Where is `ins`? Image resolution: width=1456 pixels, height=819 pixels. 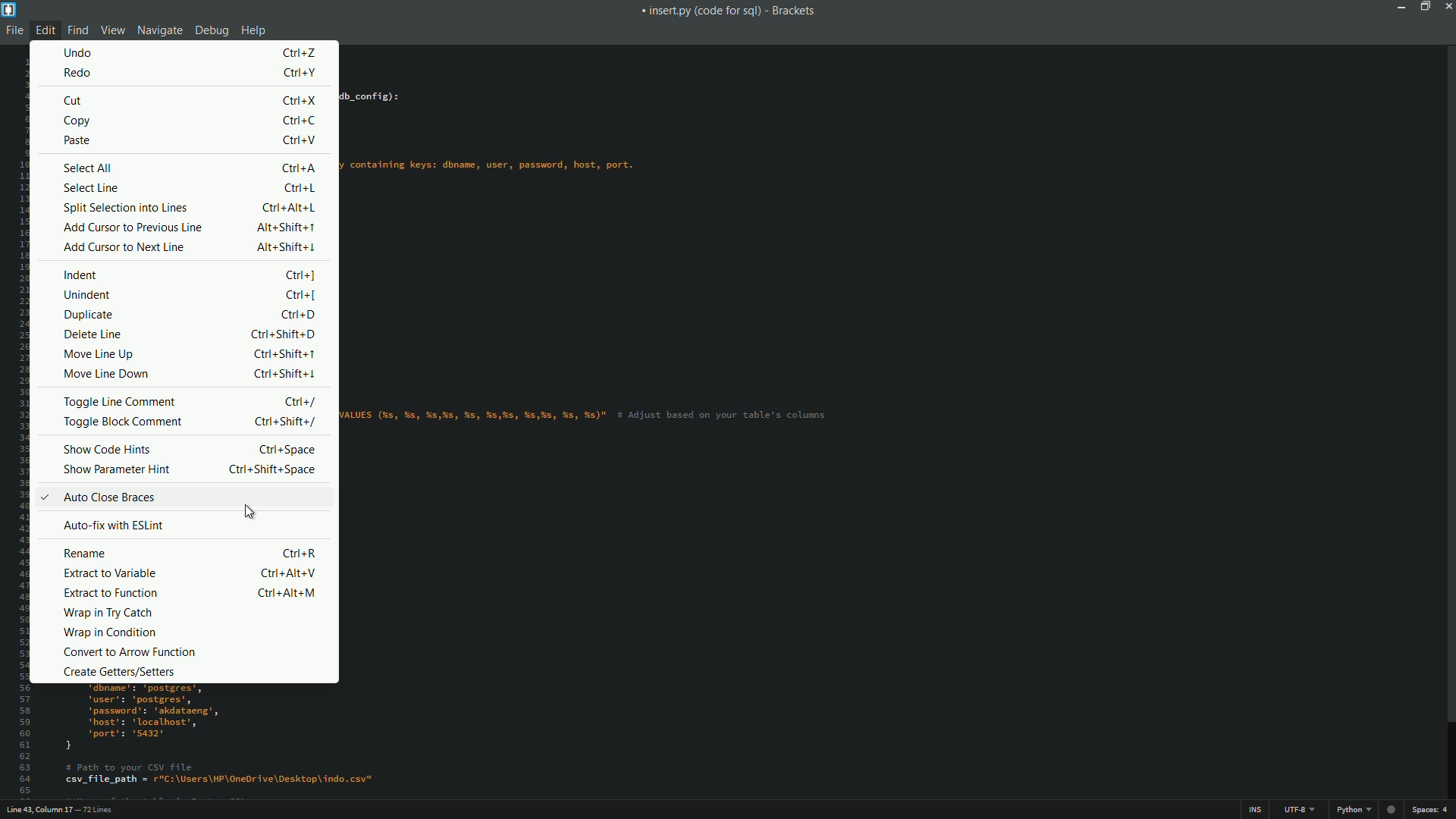 ins is located at coordinates (1255, 811).